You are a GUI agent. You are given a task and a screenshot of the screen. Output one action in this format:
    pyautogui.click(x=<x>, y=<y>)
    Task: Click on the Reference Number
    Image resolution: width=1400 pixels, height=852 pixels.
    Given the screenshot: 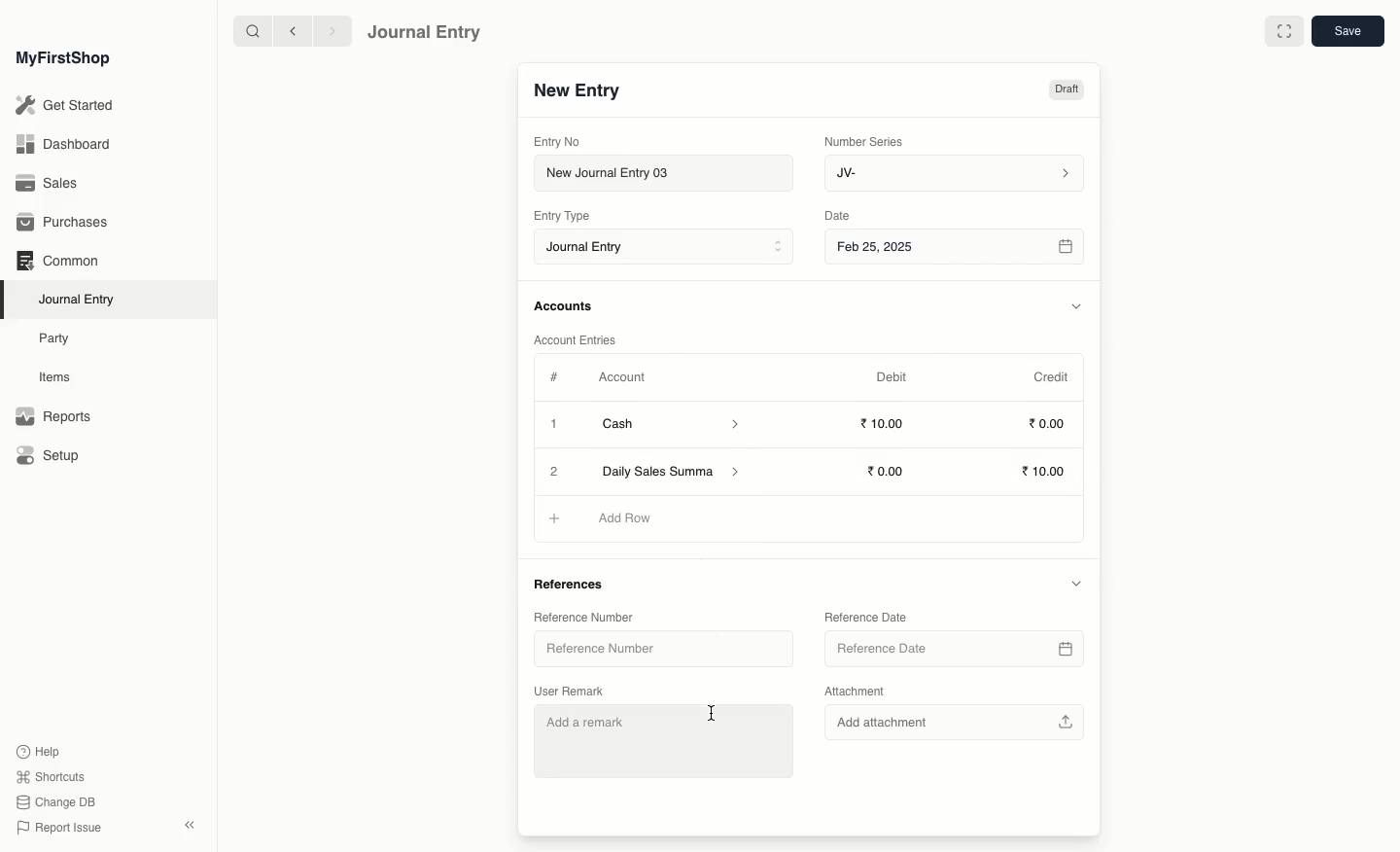 What is the action you would take?
    pyautogui.click(x=581, y=616)
    